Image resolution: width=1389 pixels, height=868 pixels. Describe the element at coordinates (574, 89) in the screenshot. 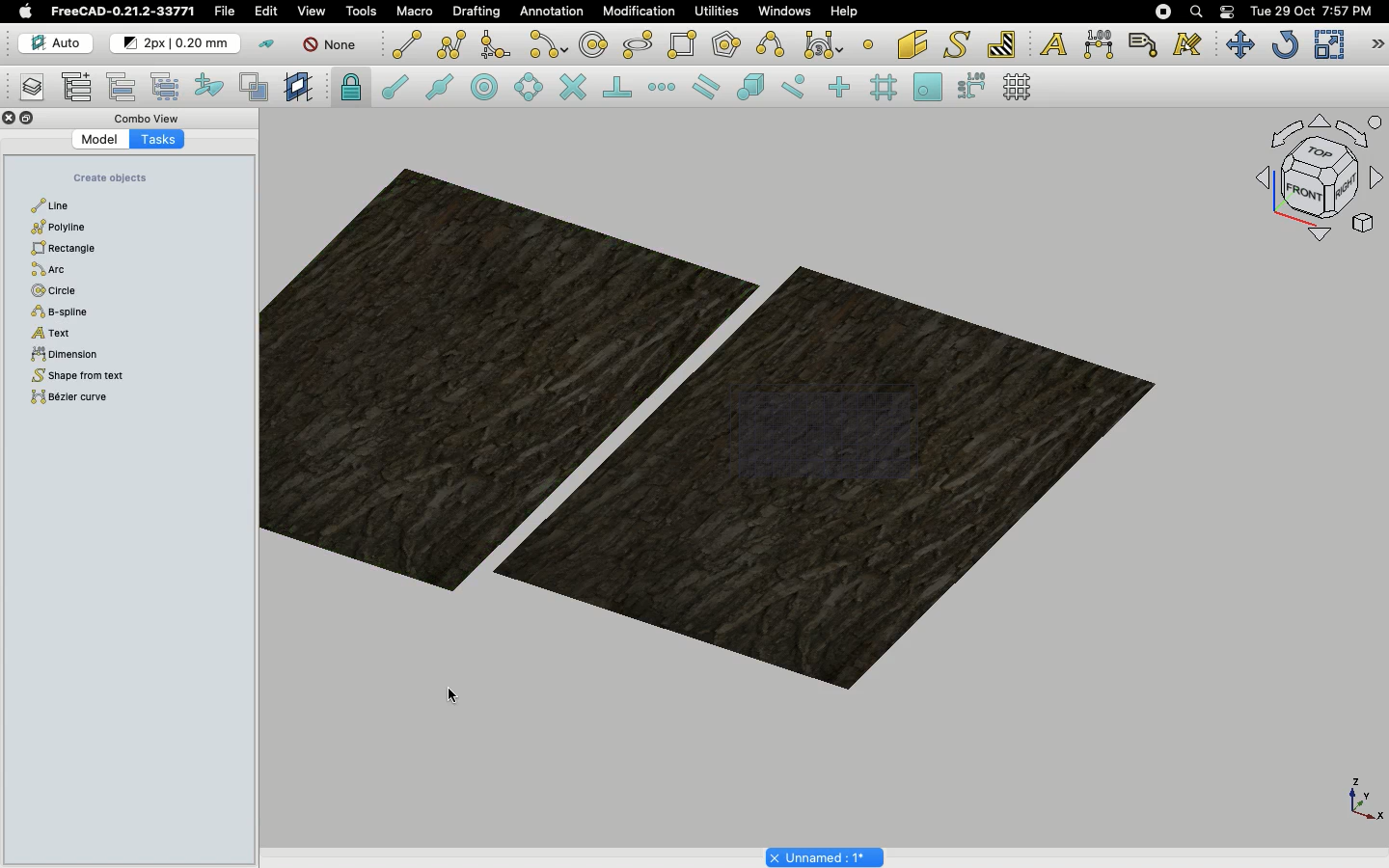

I see `Snap intersection` at that location.